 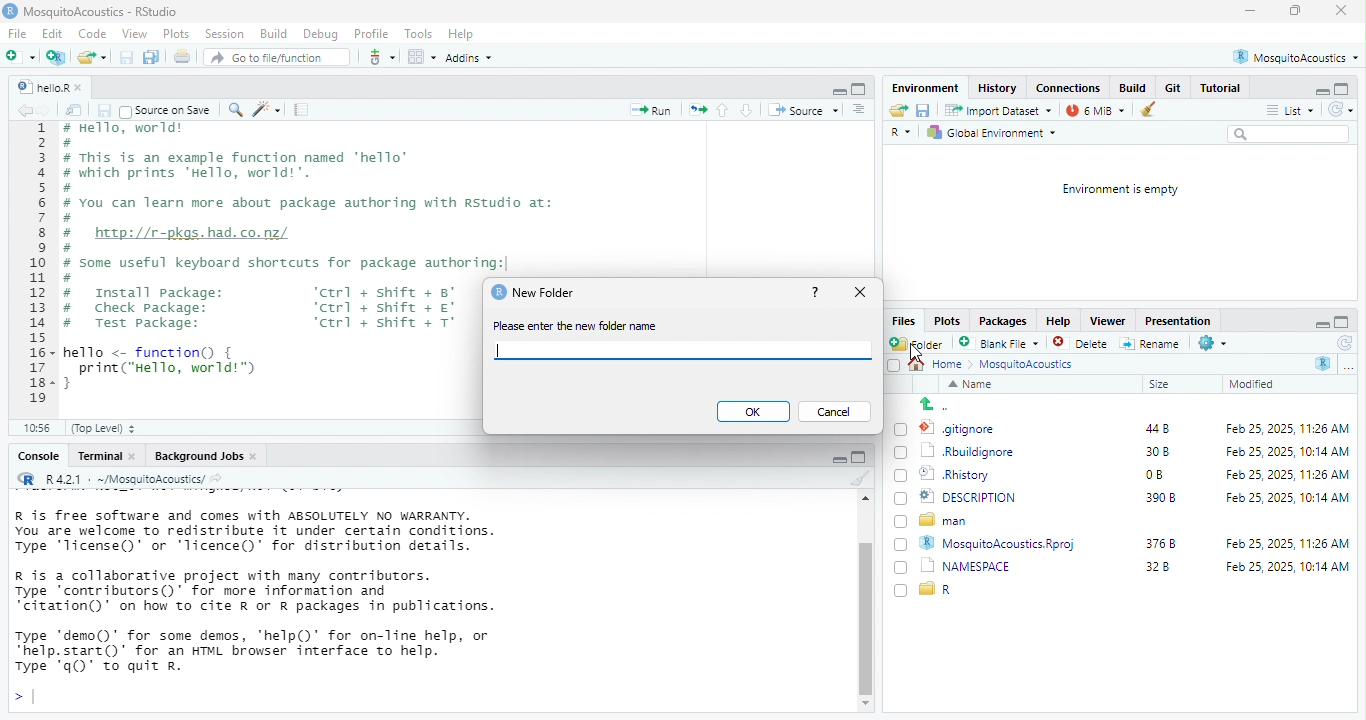 I want to click on modified, so click(x=1257, y=384).